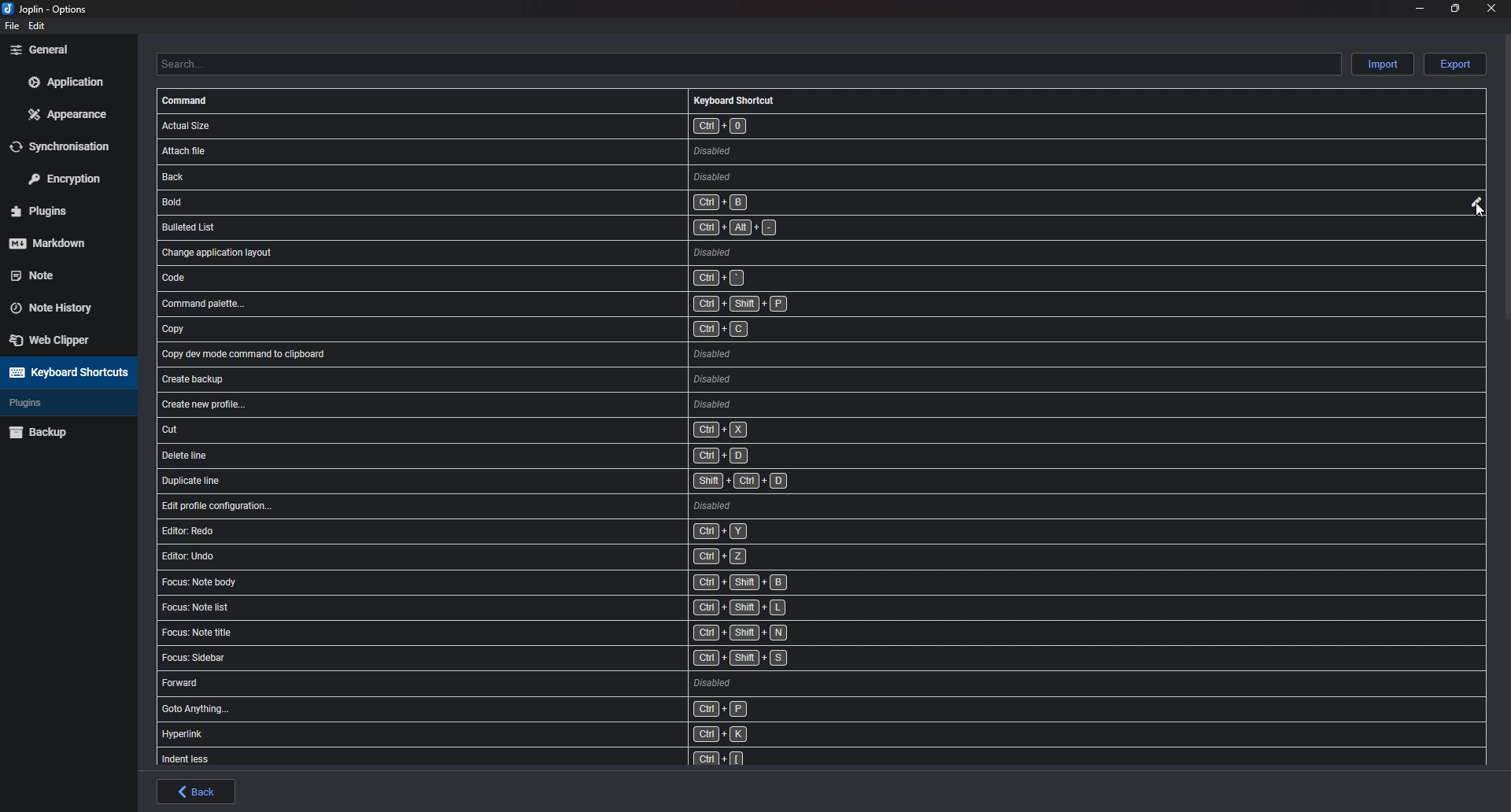  Describe the element at coordinates (521, 711) in the screenshot. I see `shortcut` at that location.